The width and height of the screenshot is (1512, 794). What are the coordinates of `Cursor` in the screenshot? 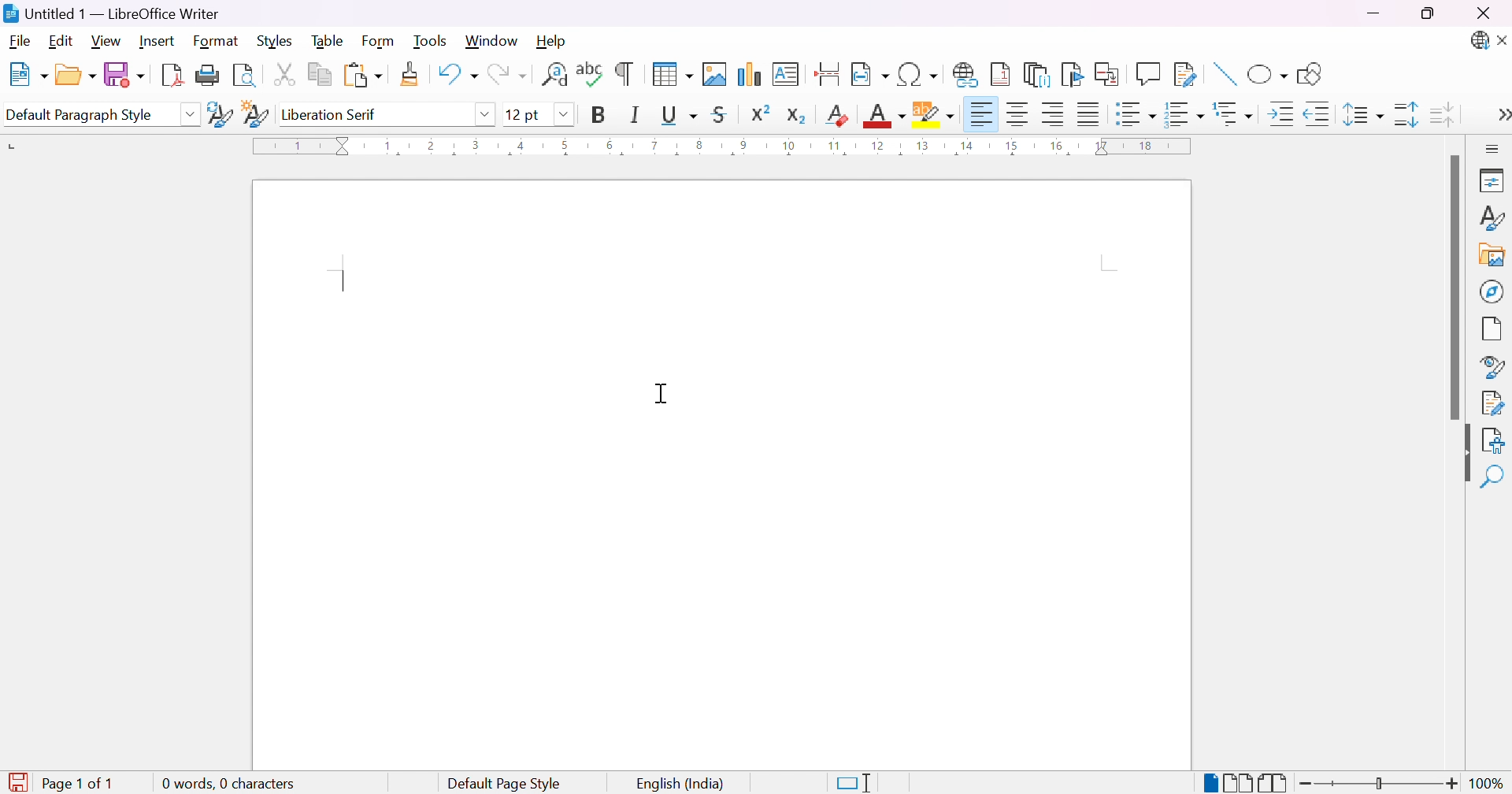 It's located at (665, 393).